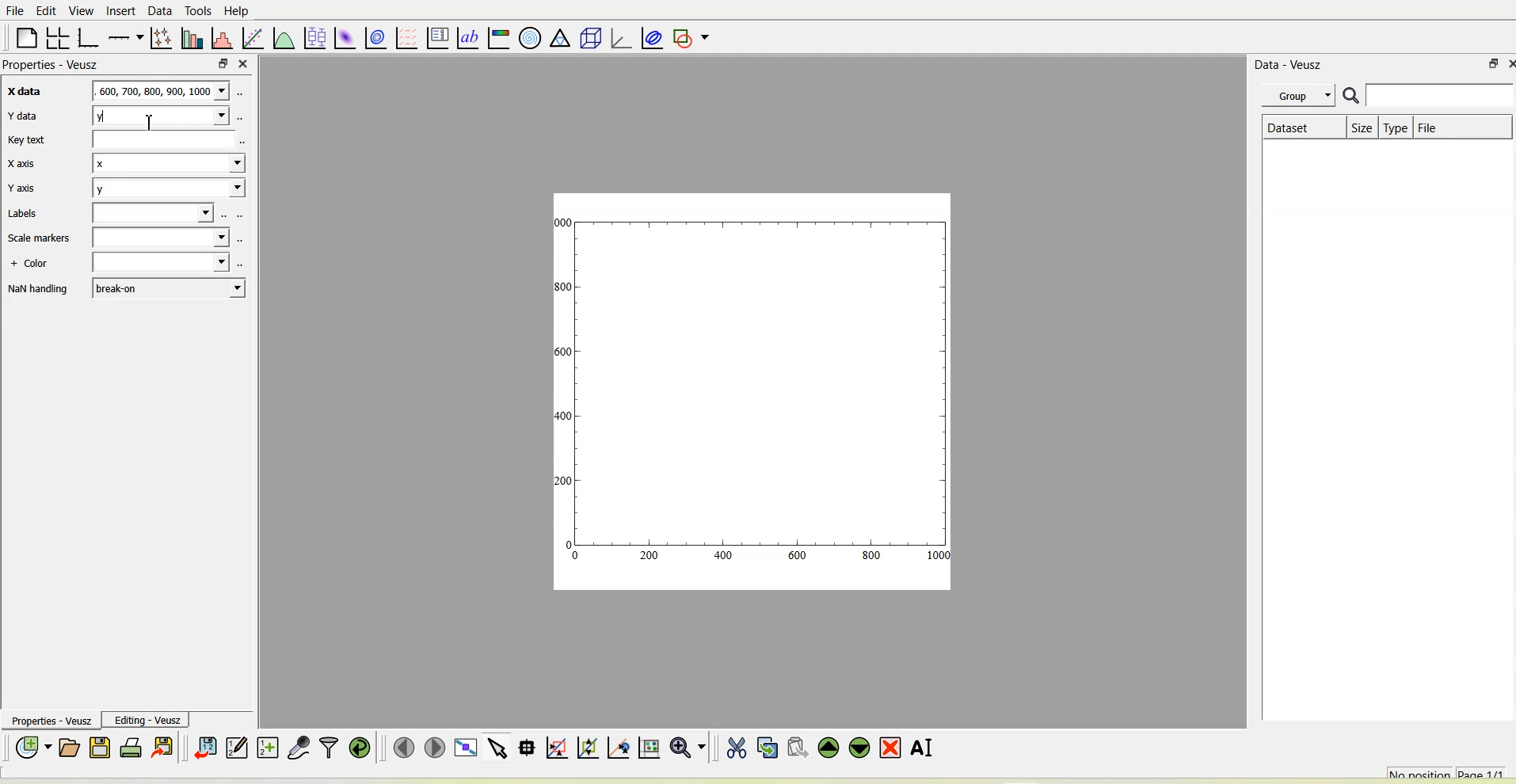 The height and width of the screenshot is (784, 1516). I want to click on File, so click(1431, 127).